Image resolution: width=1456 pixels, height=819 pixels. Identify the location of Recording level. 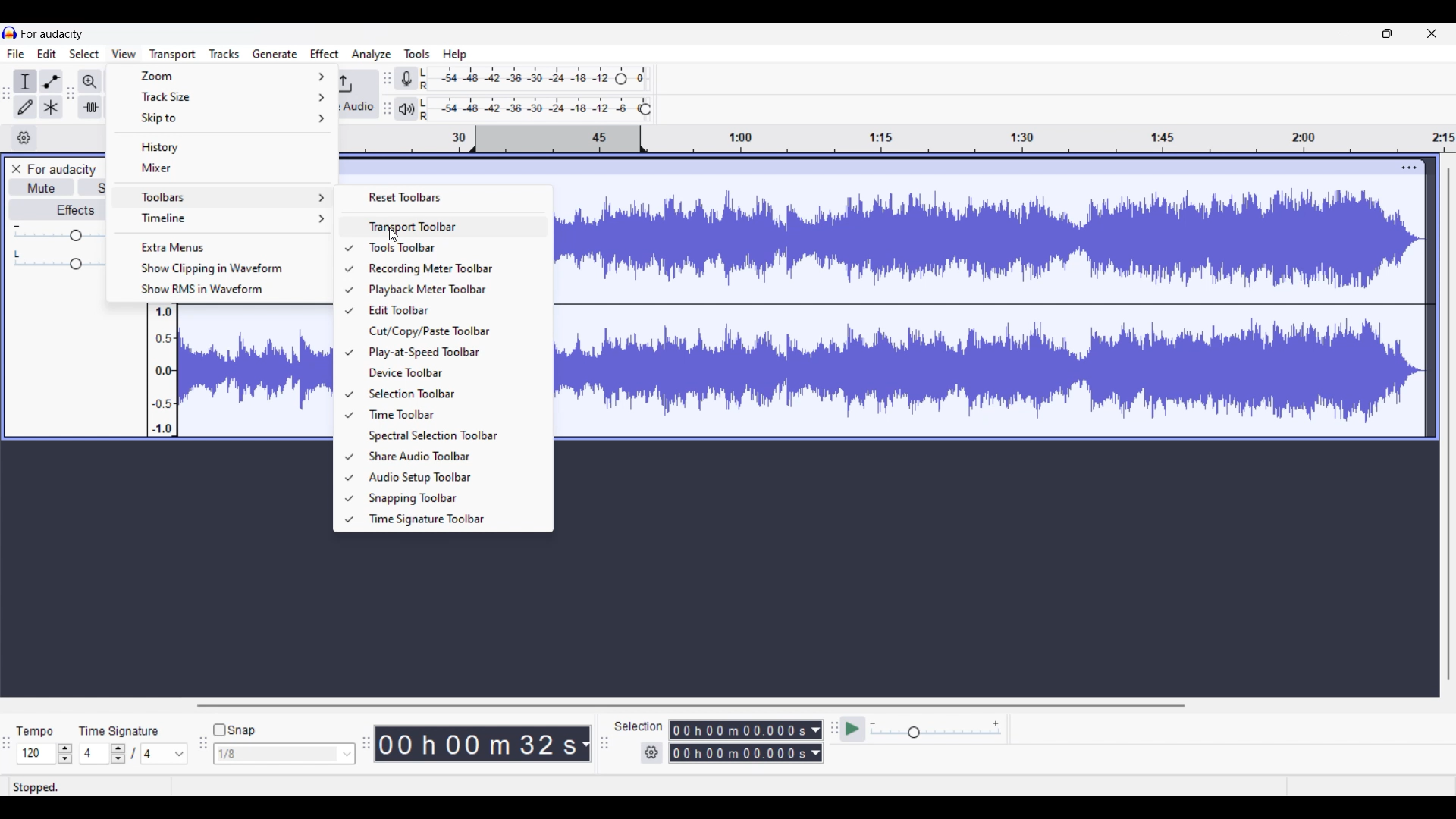
(516, 79).